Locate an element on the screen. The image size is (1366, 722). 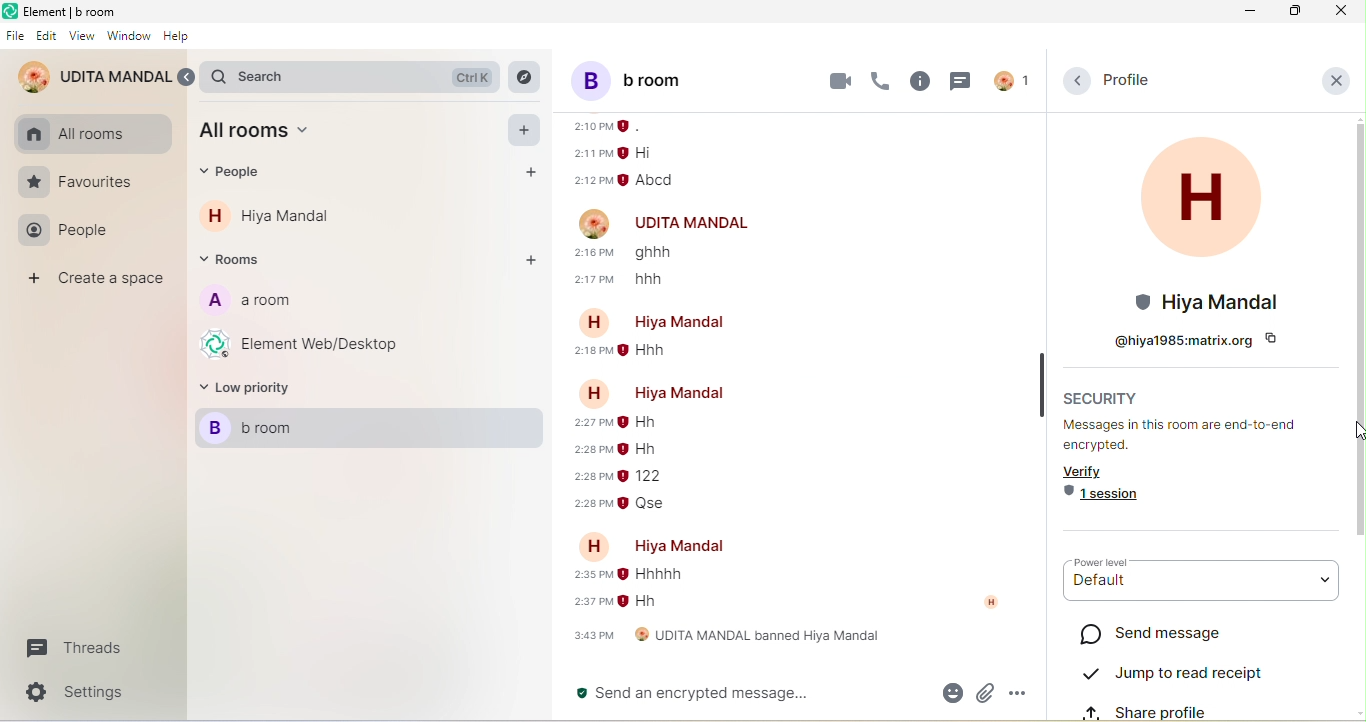
time of message sending is located at coordinates (608, 126).